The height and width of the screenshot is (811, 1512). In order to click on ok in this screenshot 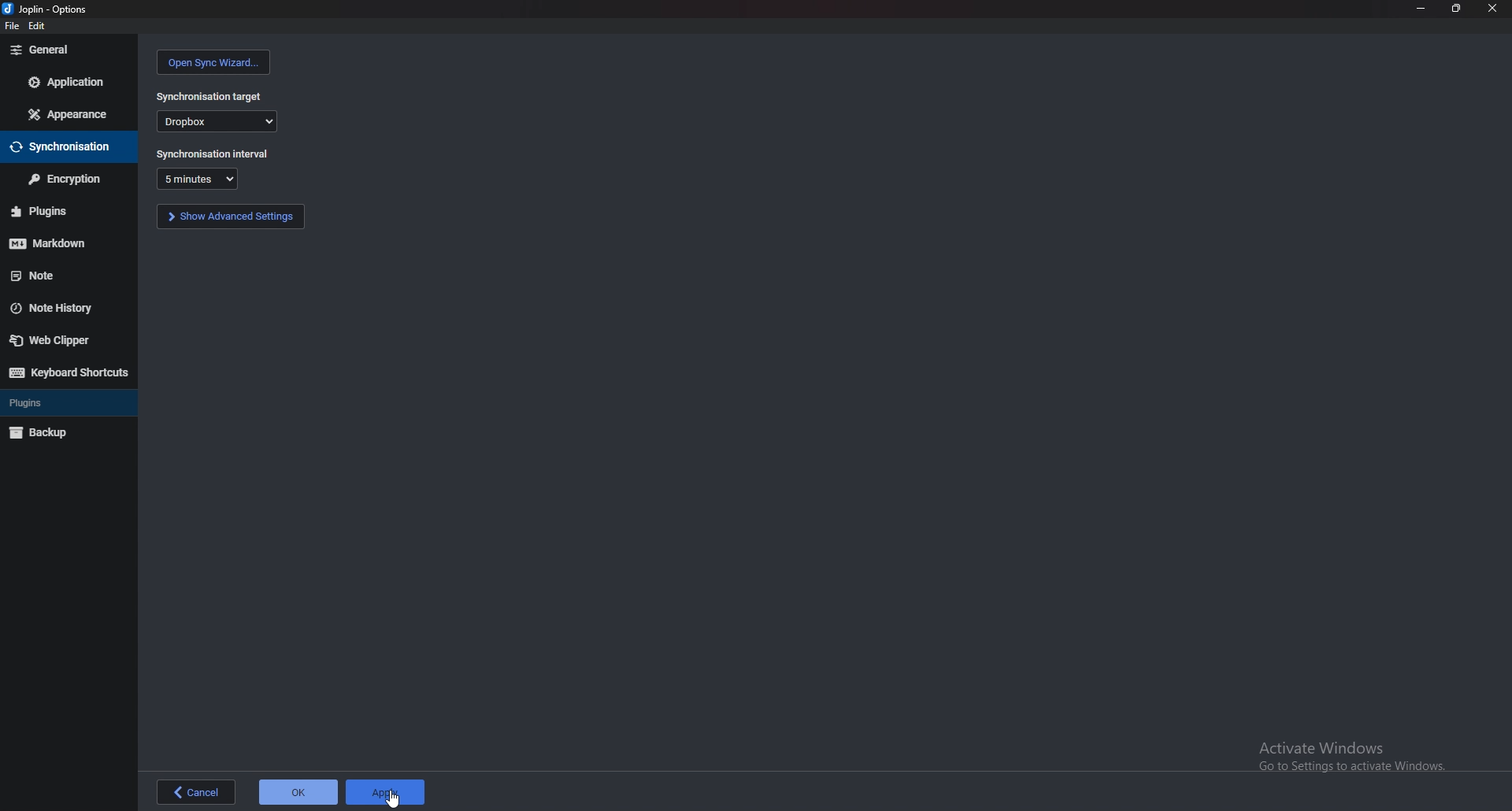, I will do `click(298, 793)`.